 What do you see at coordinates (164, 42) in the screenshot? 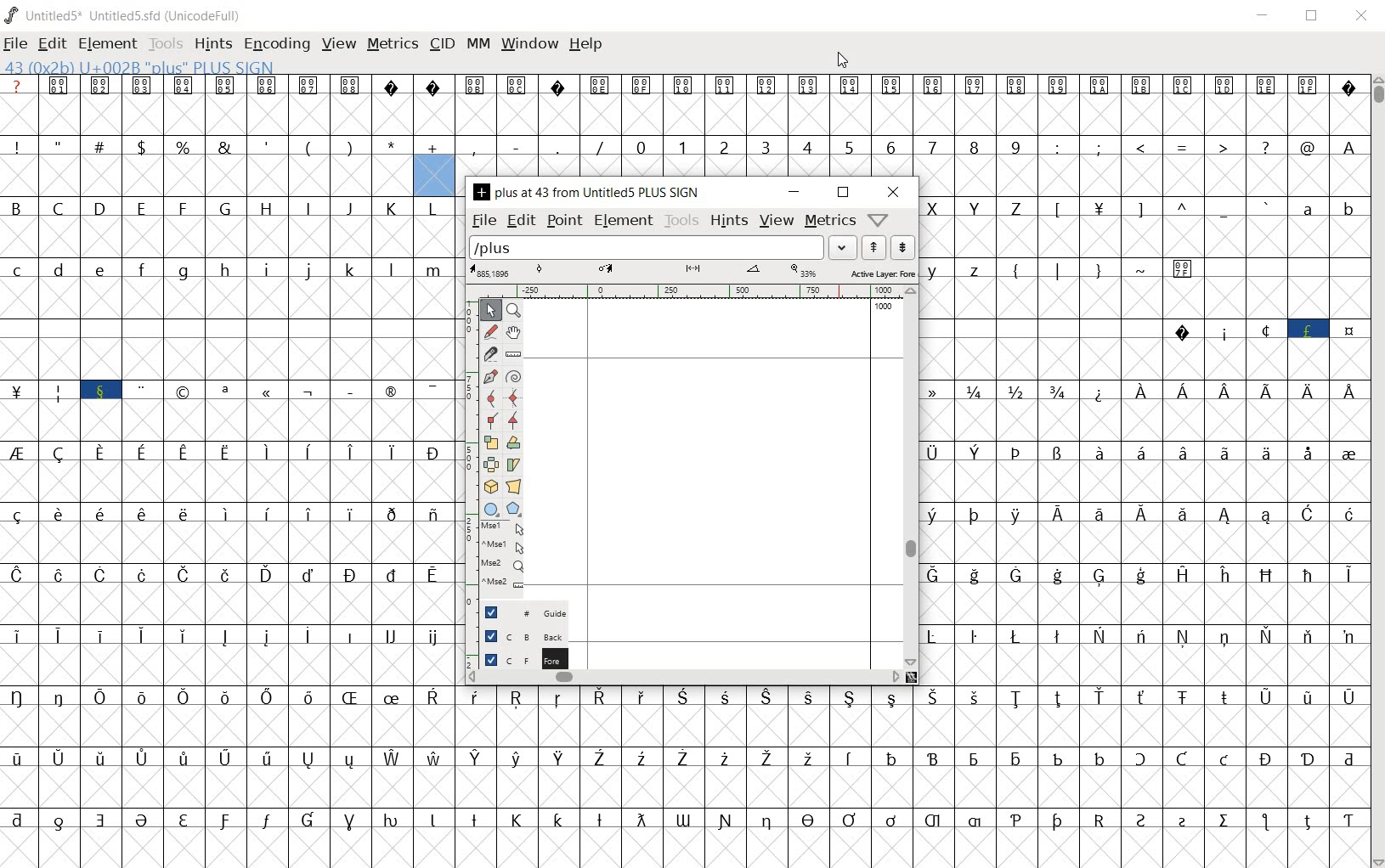
I see `tools` at bounding box center [164, 42].